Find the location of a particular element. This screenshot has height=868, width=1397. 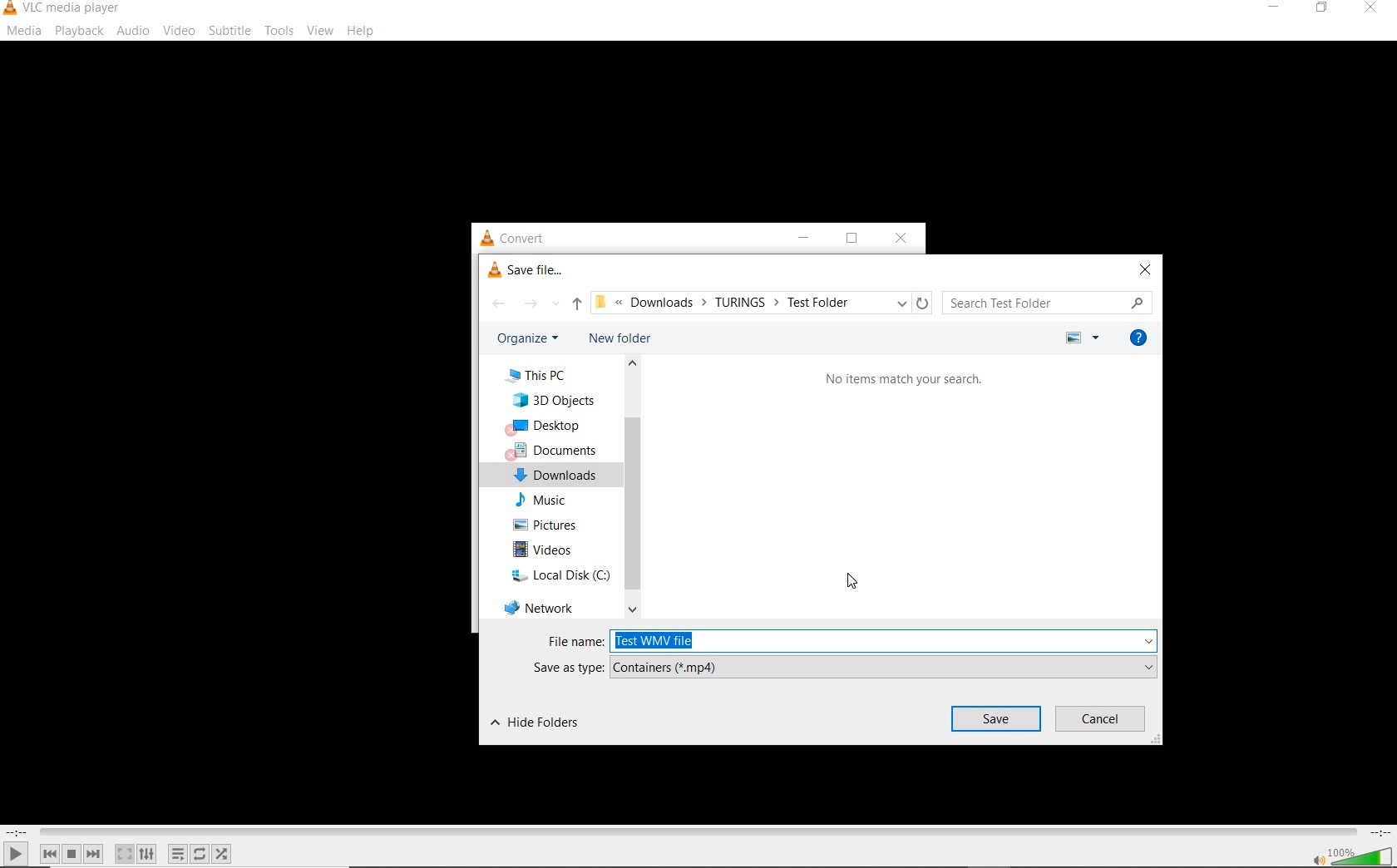

restore down is located at coordinates (1325, 8).